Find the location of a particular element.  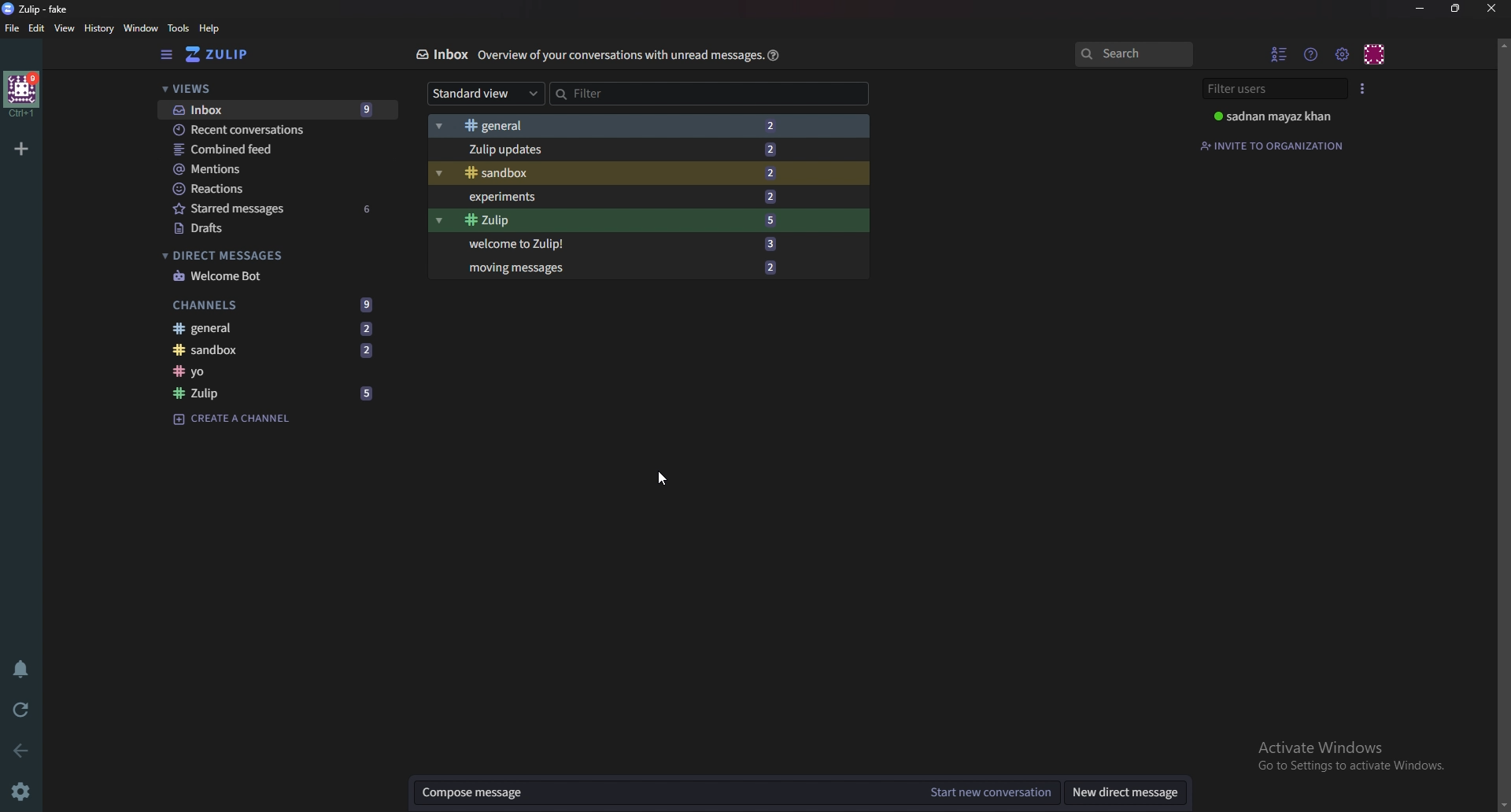

history is located at coordinates (98, 29).